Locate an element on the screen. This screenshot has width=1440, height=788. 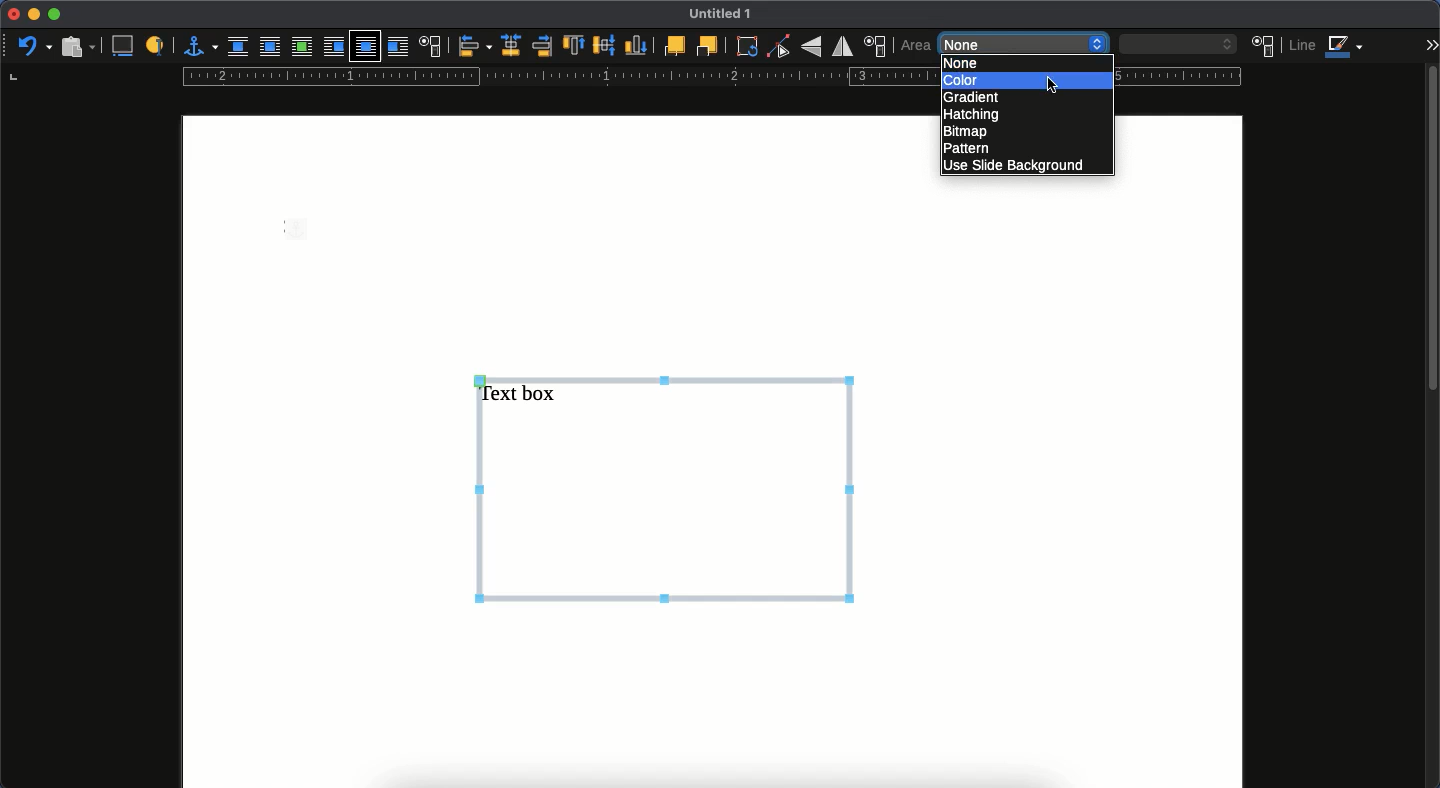
none is located at coordinates (960, 62).